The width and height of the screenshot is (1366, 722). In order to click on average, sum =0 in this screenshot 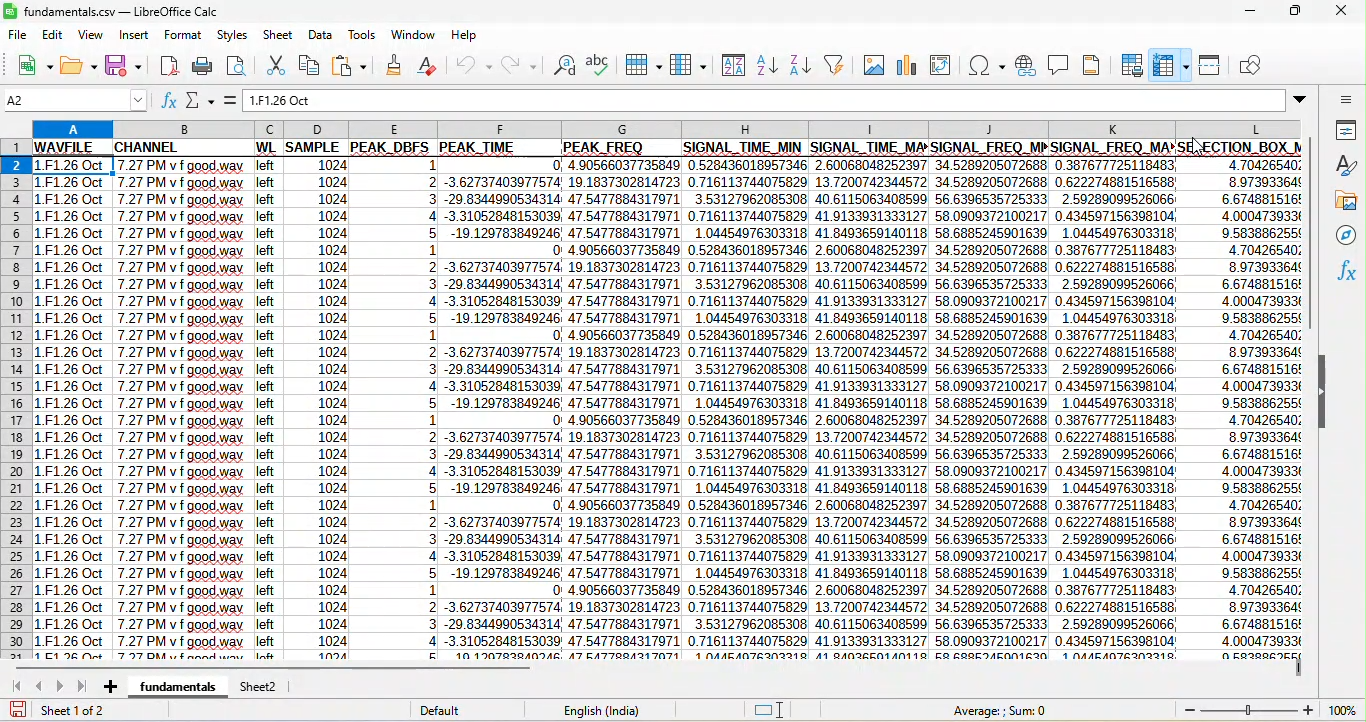, I will do `click(1009, 709)`.